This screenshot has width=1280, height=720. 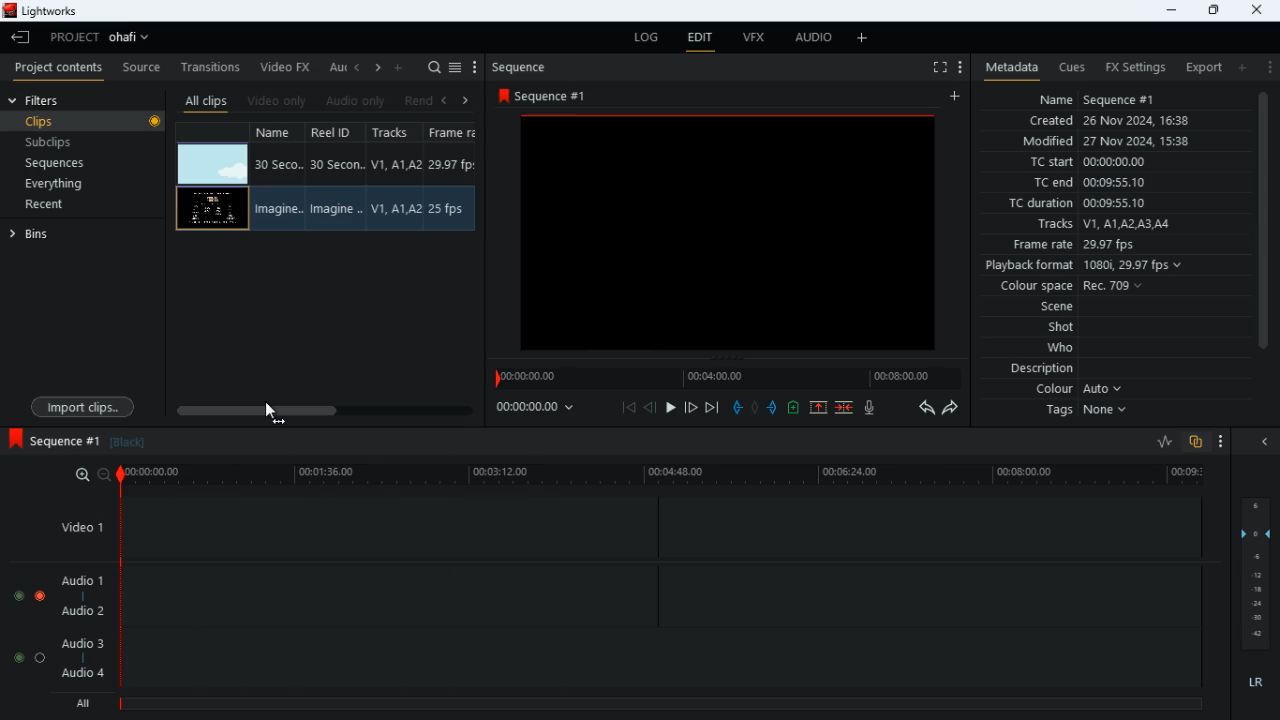 What do you see at coordinates (141, 66) in the screenshot?
I see `source` at bounding box center [141, 66].